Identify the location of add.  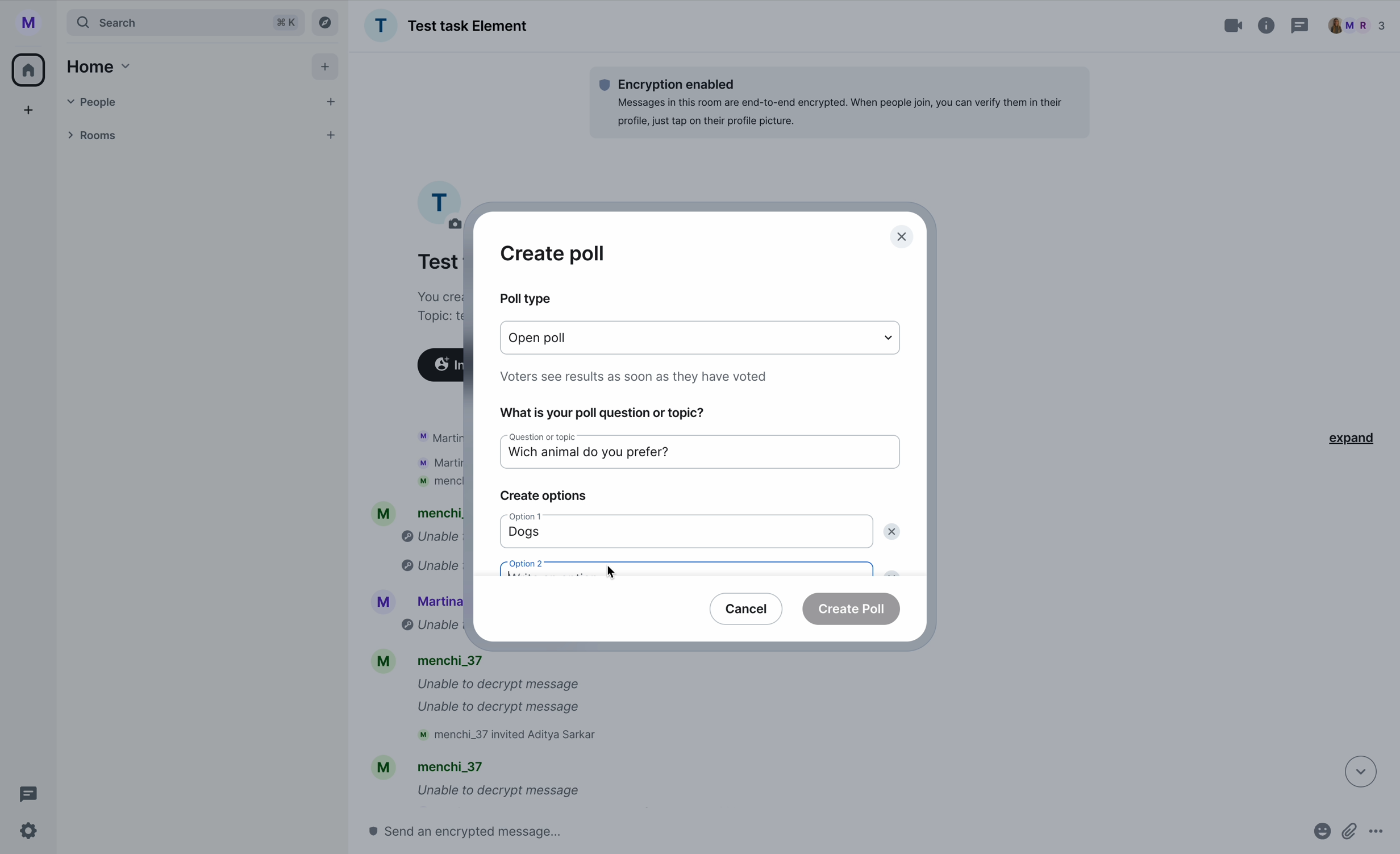
(327, 69).